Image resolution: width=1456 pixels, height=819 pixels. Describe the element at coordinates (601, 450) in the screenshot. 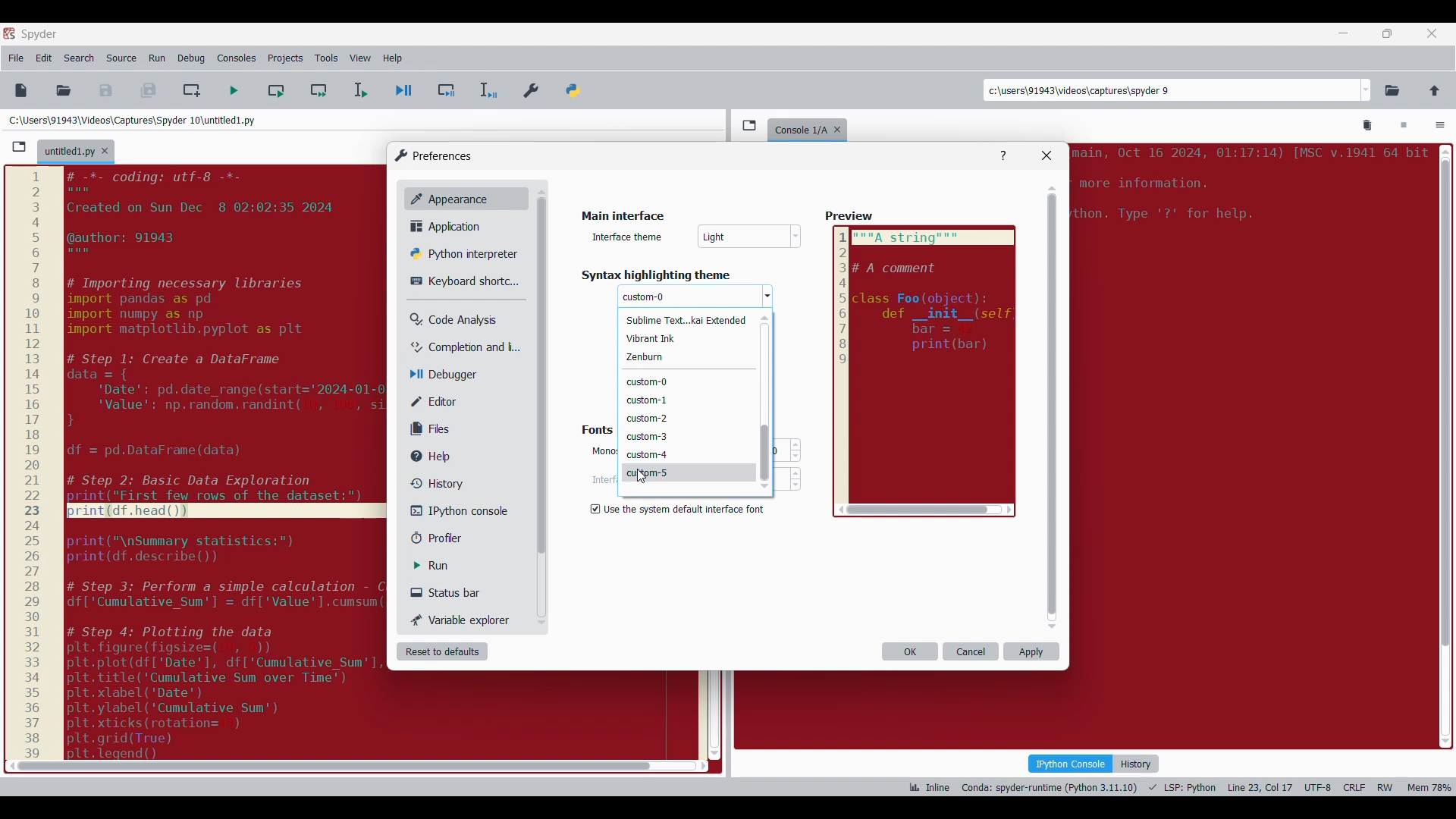

I see `` at that location.